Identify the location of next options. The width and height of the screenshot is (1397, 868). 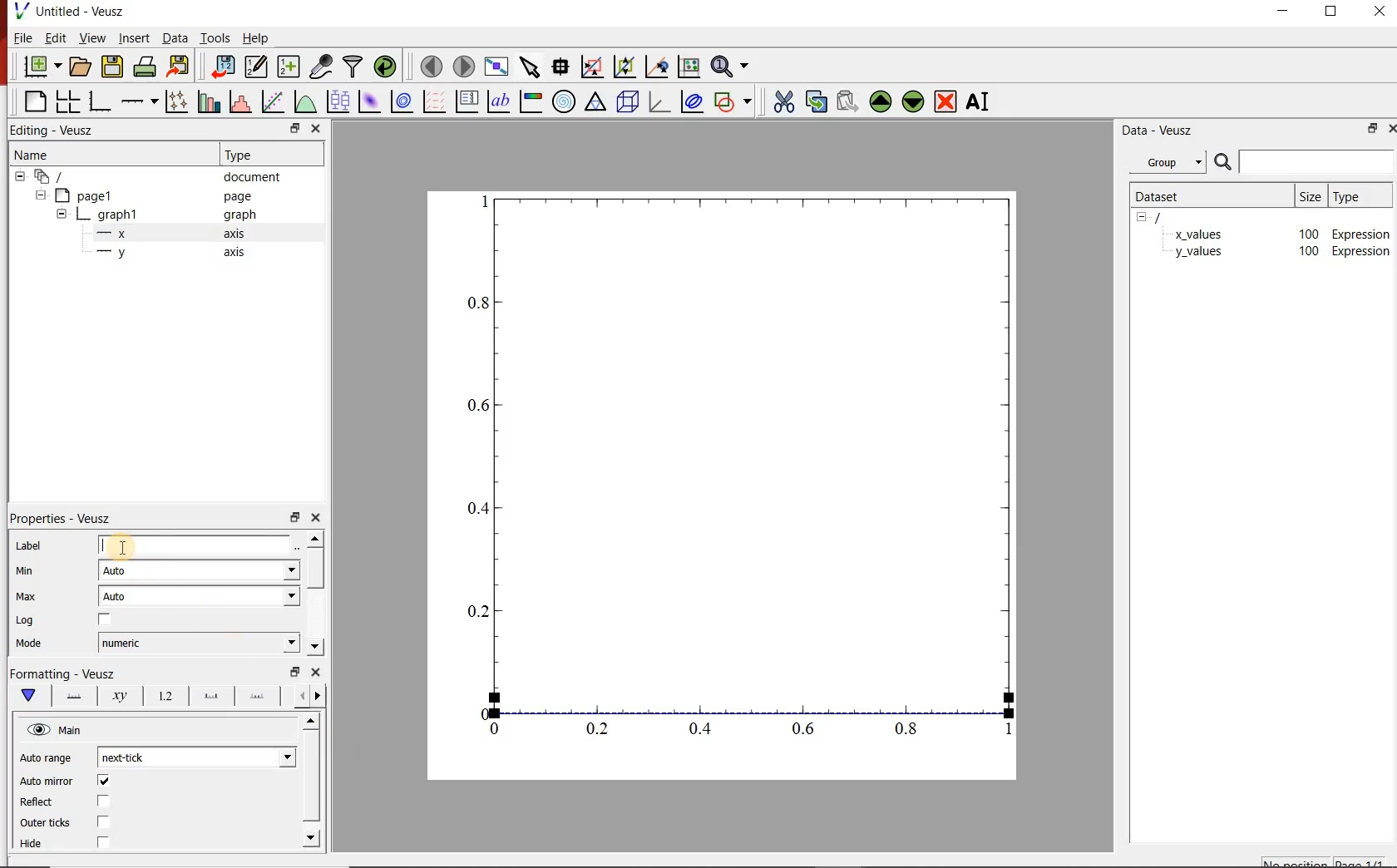
(300, 696).